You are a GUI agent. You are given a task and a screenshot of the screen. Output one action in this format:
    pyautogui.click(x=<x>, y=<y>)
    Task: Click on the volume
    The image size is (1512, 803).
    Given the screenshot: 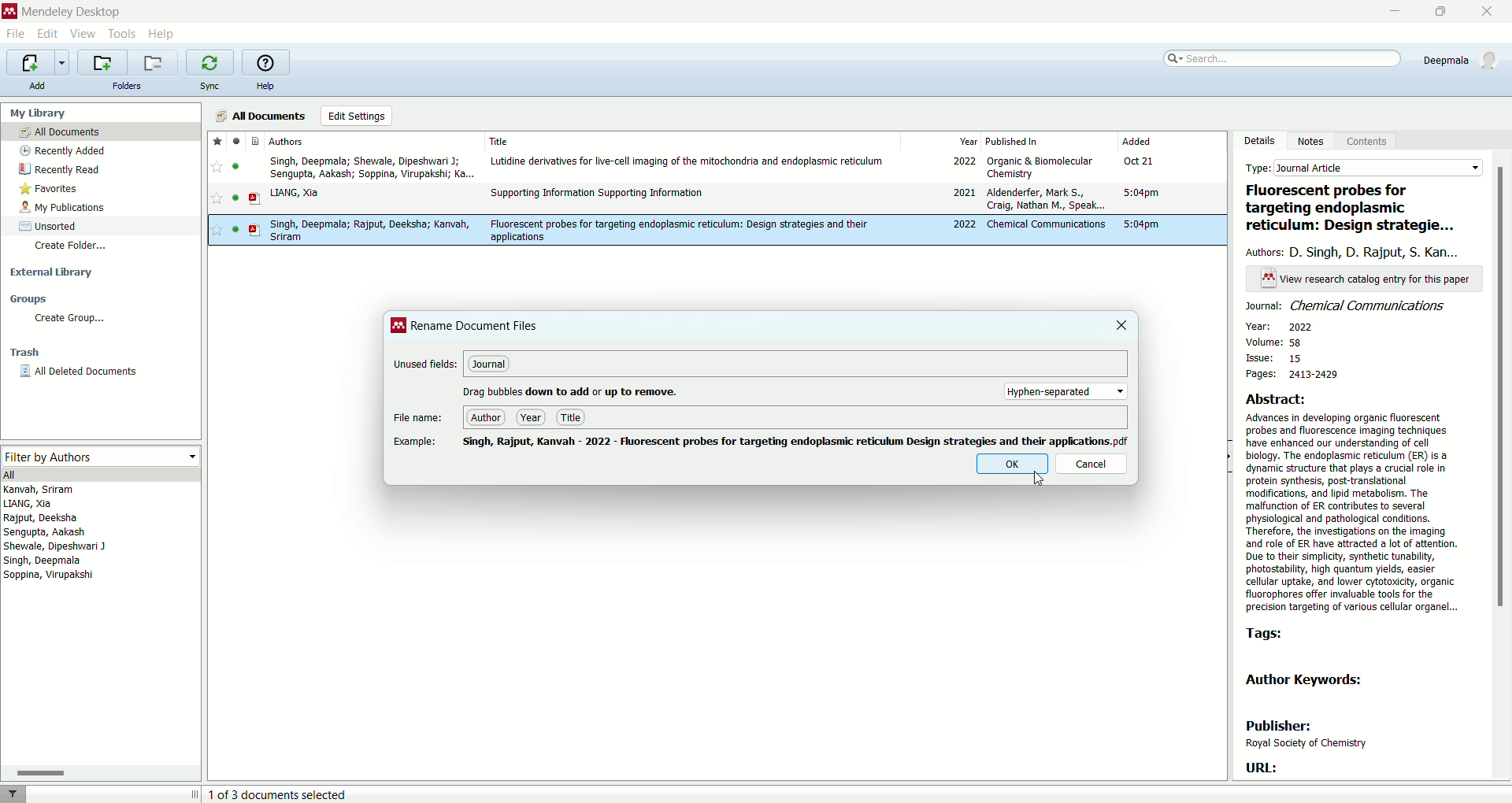 What is the action you would take?
    pyautogui.click(x=1286, y=342)
    